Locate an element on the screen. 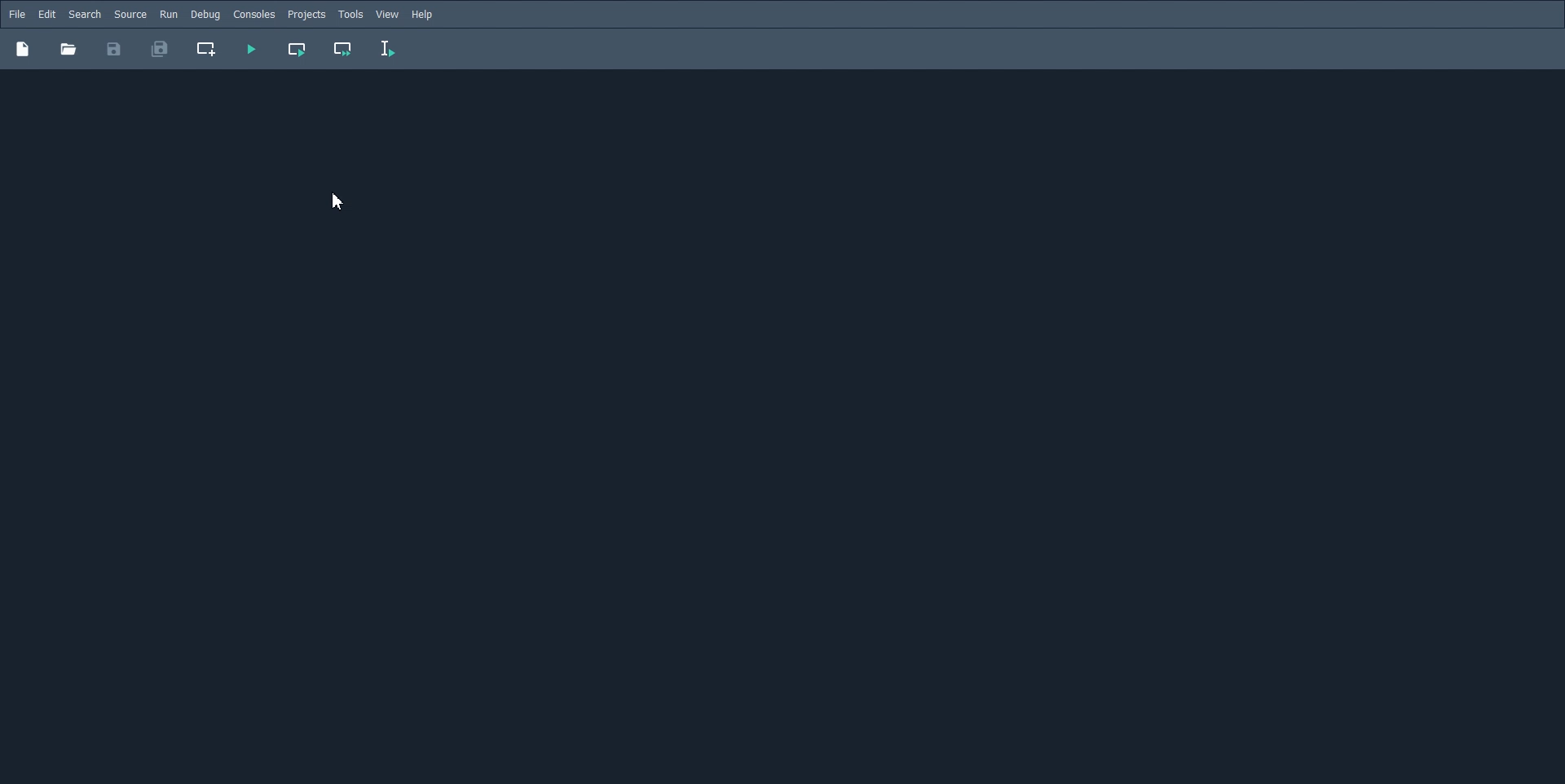 The image size is (1565, 784). Run Current cell and go to next cell is located at coordinates (342, 50).